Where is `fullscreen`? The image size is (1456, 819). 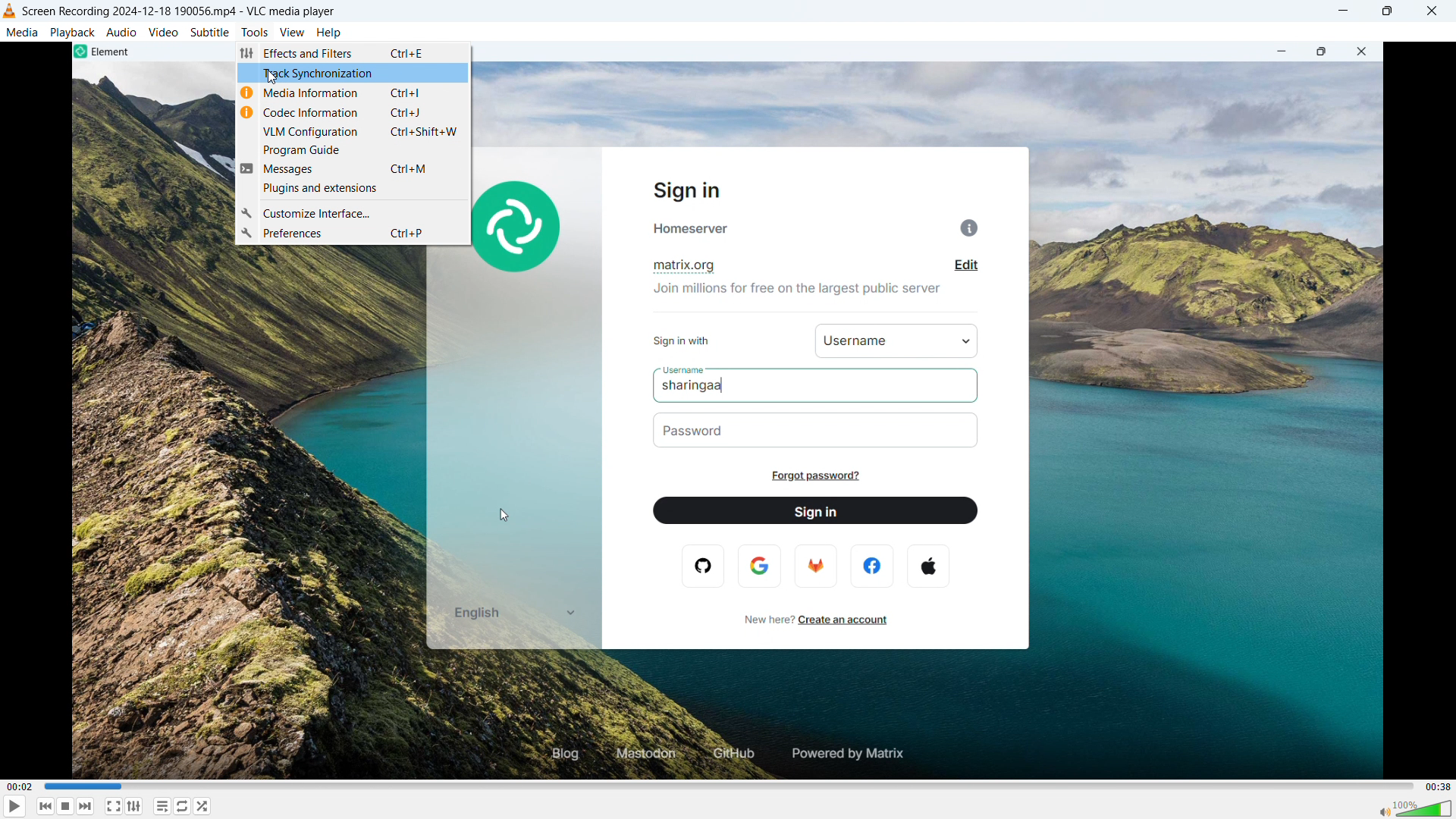
fullscreen is located at coordinates (113, 806).